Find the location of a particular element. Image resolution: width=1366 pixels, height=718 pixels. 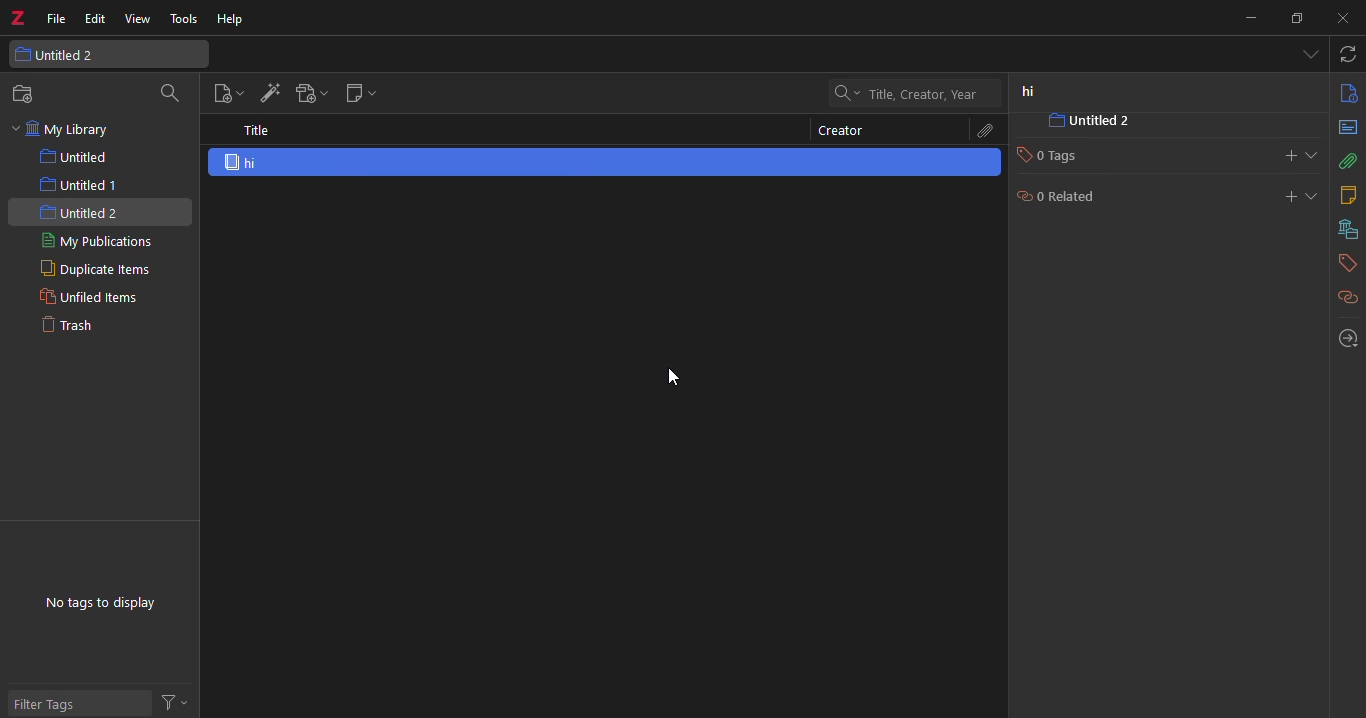

sync is located at coordinates (1350, 53).